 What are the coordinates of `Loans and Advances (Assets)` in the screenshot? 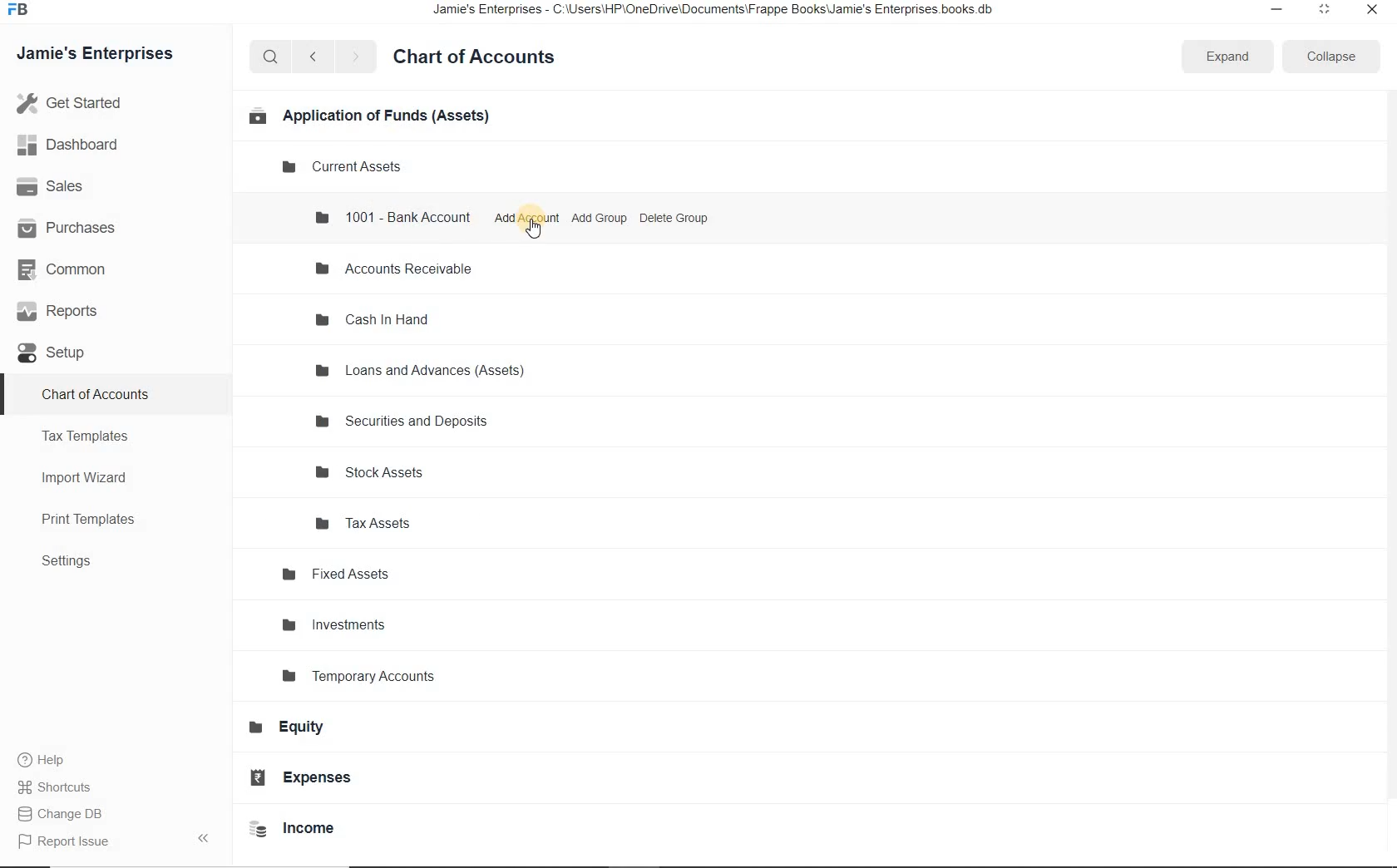 It's located at (422, 372).